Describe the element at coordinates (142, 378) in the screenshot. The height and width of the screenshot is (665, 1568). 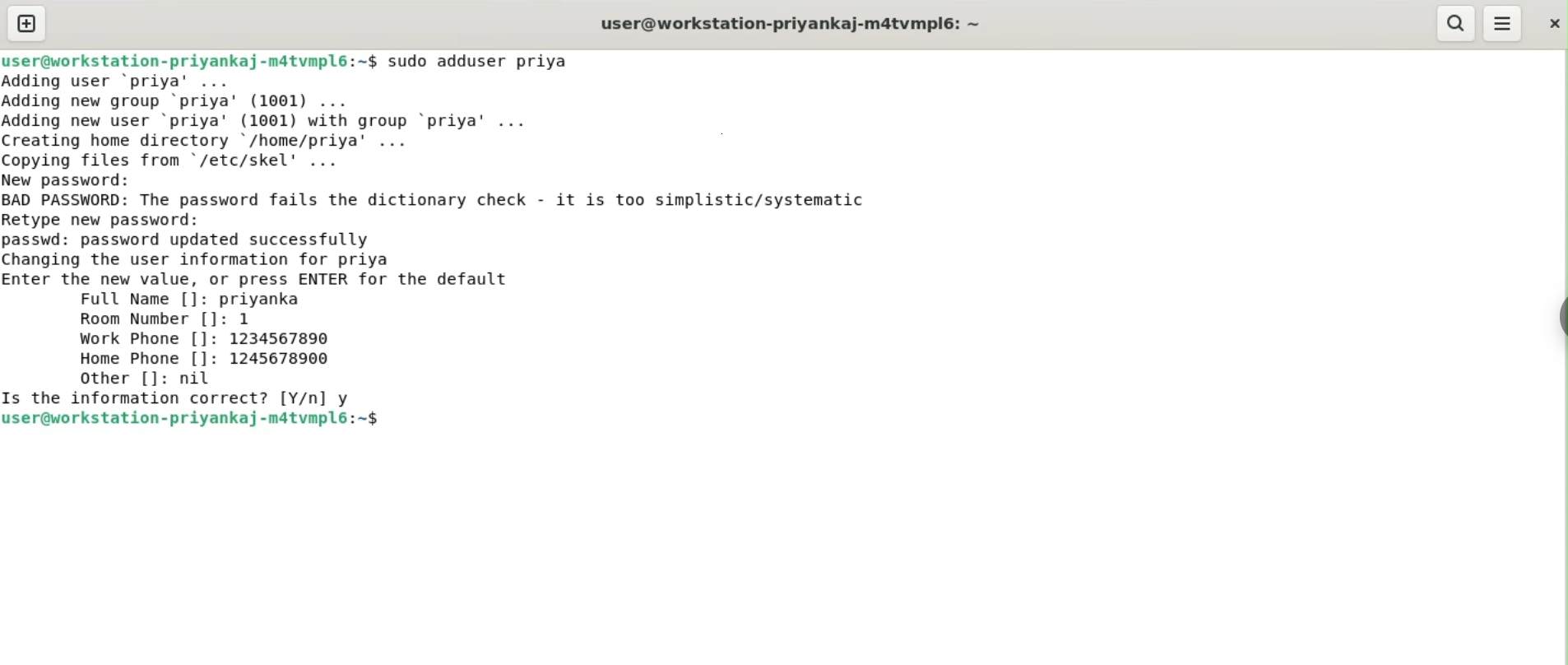
I see `Other [1]: nil` at that location.